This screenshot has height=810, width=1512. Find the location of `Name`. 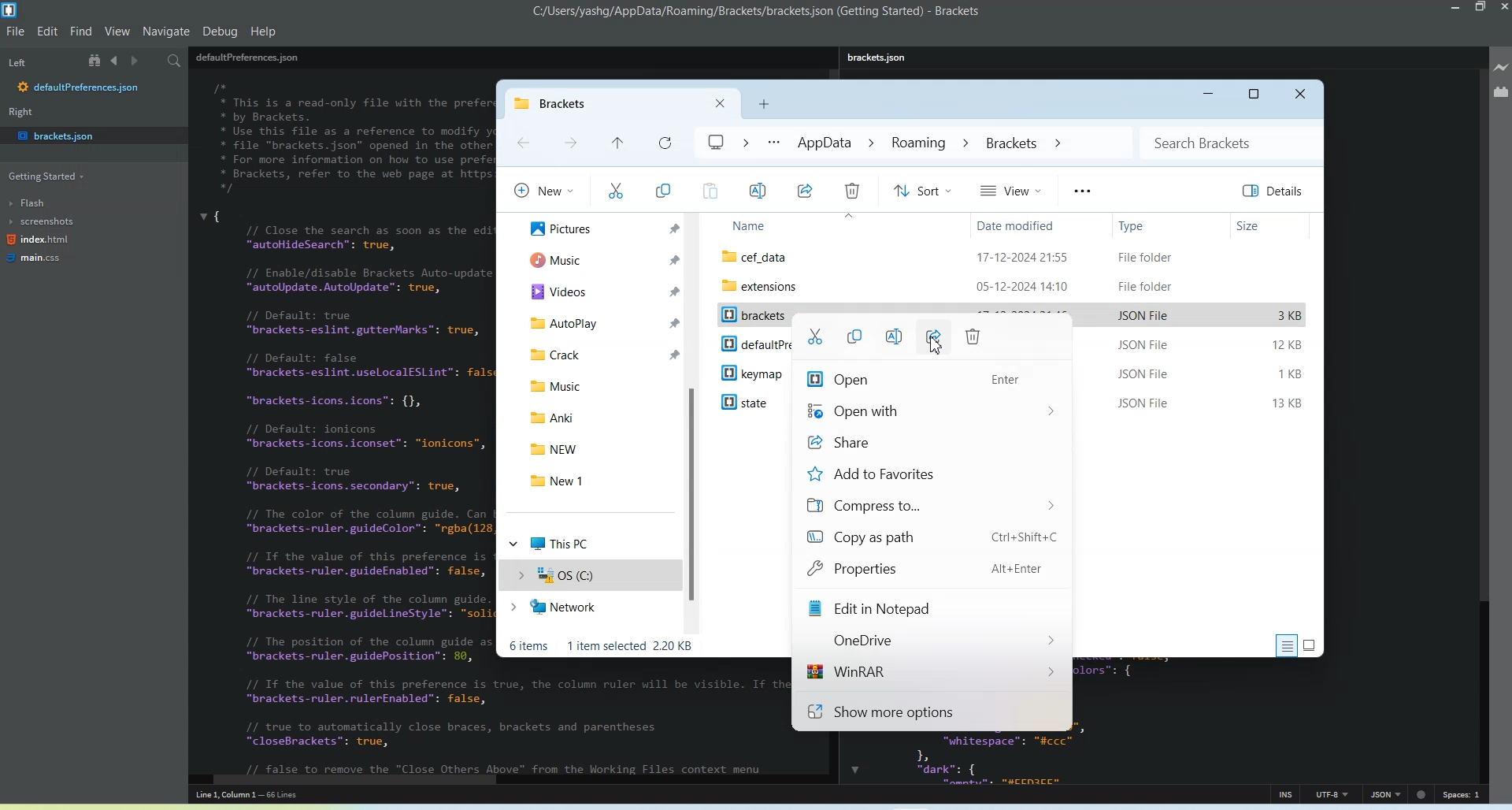

Name is located at coordinates (836, 226).